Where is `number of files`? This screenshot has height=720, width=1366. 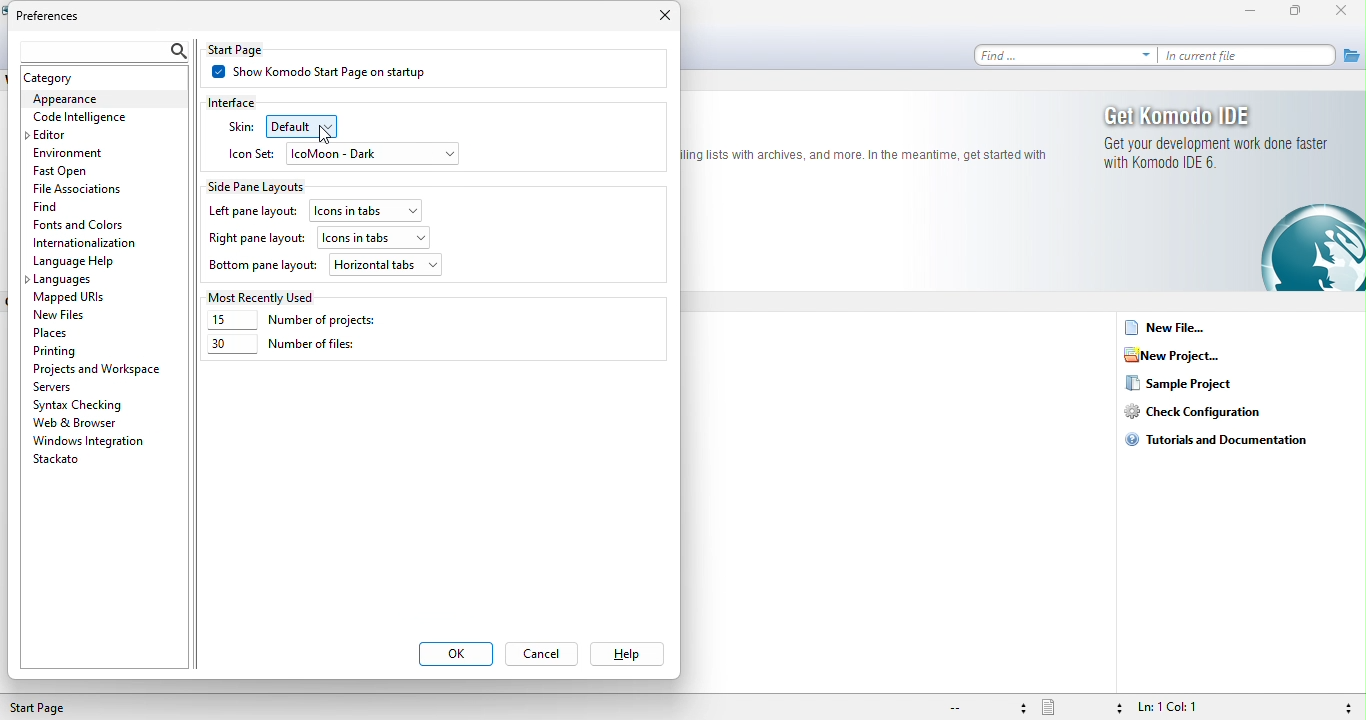 number of files is located at coordinates (282, 348).